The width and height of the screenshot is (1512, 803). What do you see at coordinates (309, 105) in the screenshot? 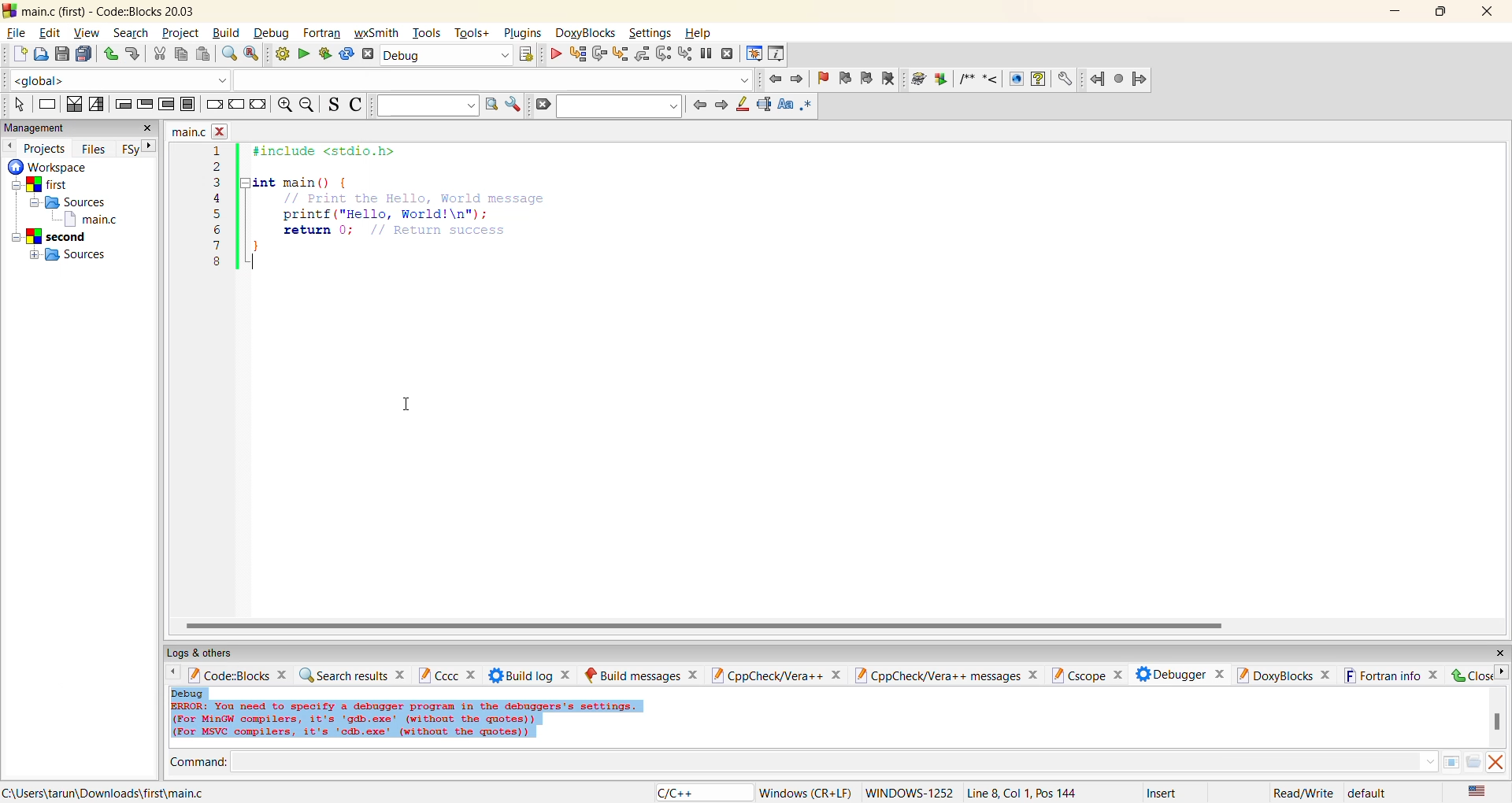
I see `zoom out` at bounding box center [309, 105].